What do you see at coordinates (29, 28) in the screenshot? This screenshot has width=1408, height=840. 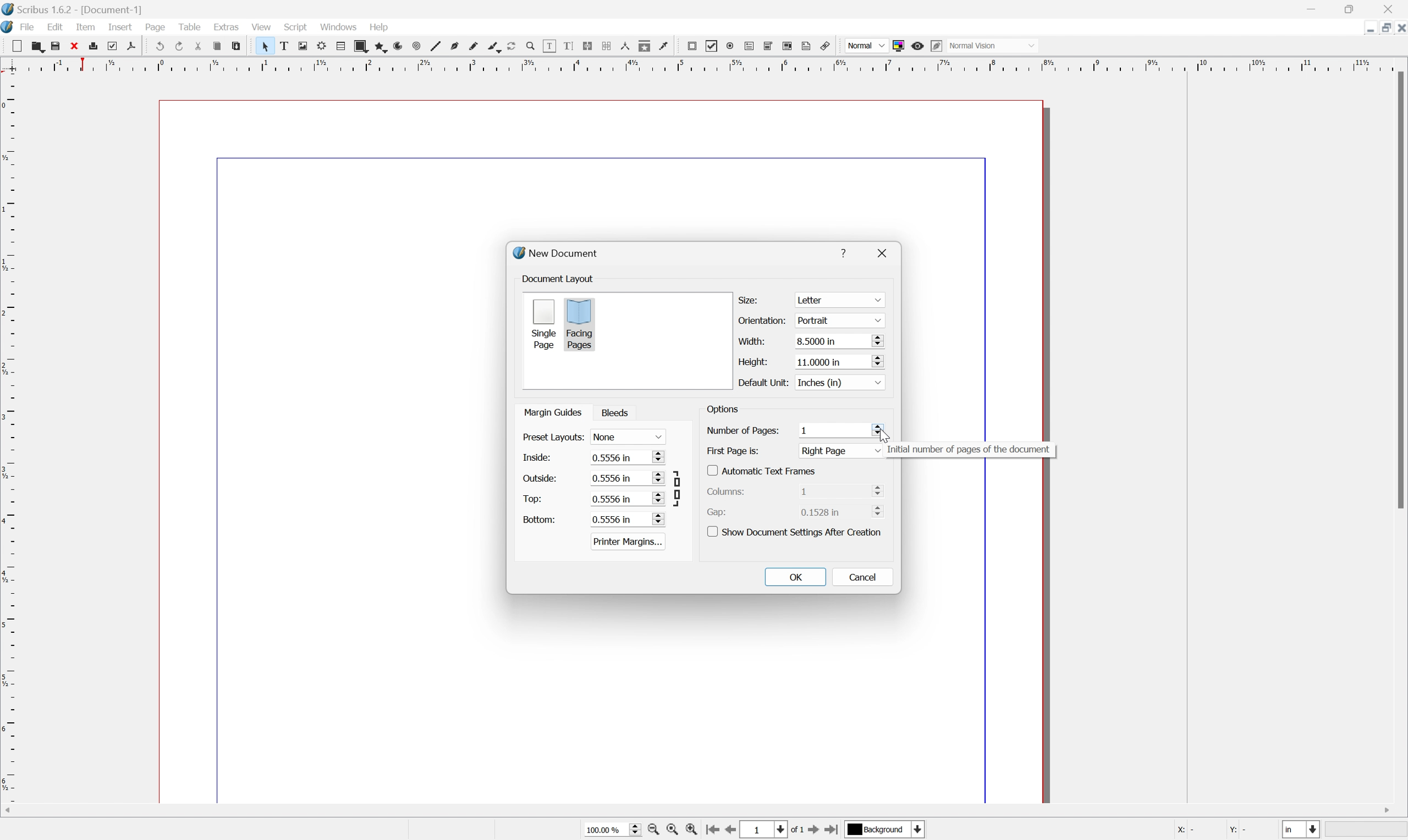 I see `File` at bounding box center [29, 28].